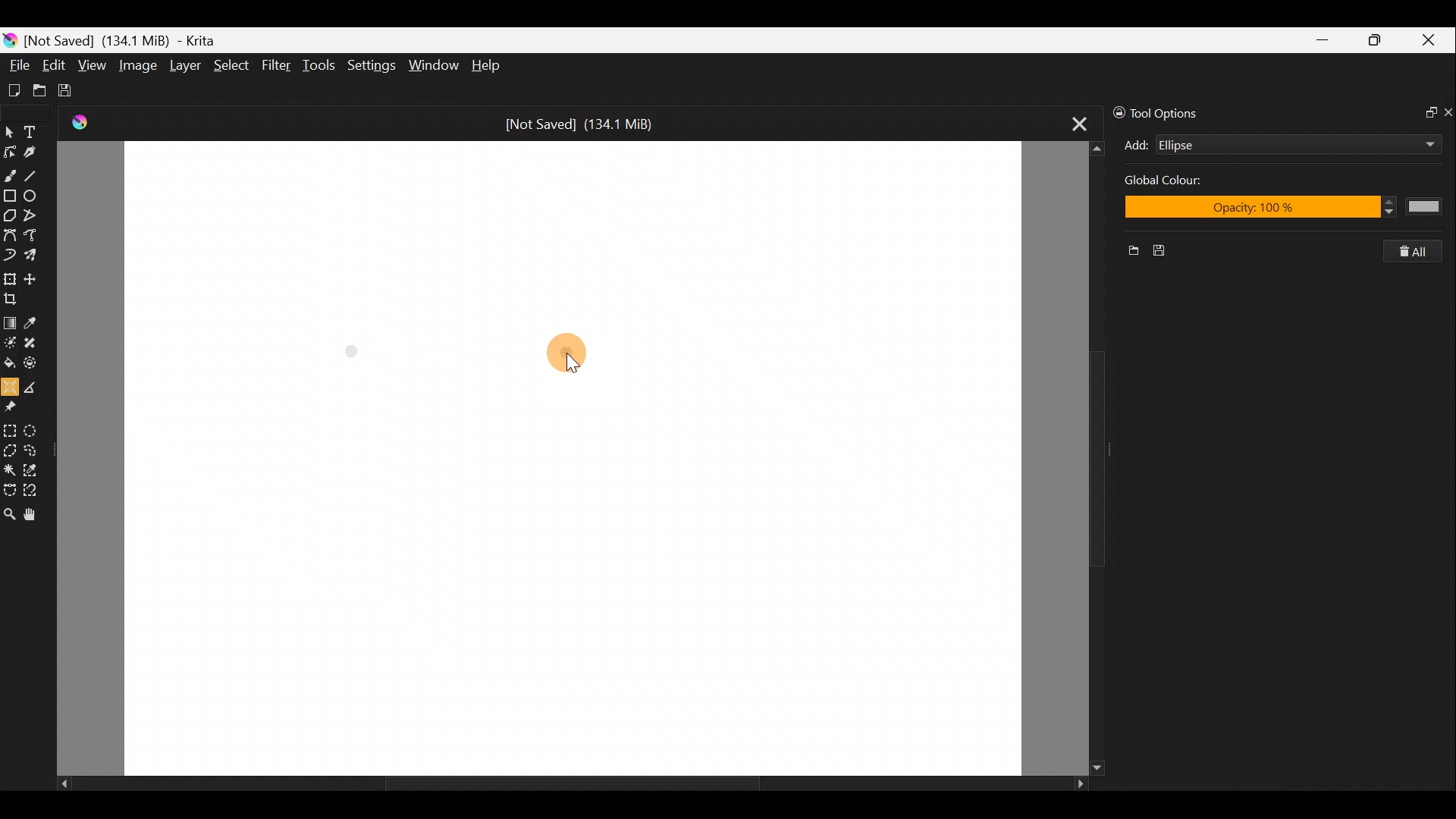 This screenshot has width=1456, height=819. Describe the element at coordinates (1169, 111) in the screenshot. I see `Tool options` at that location.